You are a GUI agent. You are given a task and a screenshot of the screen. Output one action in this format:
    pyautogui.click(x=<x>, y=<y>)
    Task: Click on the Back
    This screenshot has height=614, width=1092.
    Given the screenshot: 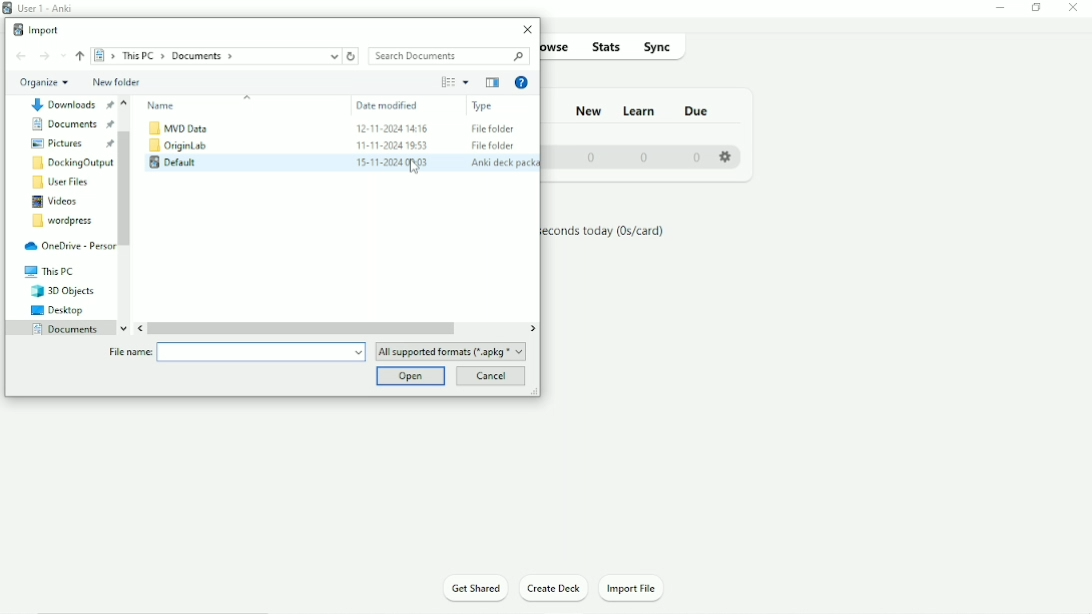 What is the action you would take?
    pyautogui.click(x=22, y=56)
    